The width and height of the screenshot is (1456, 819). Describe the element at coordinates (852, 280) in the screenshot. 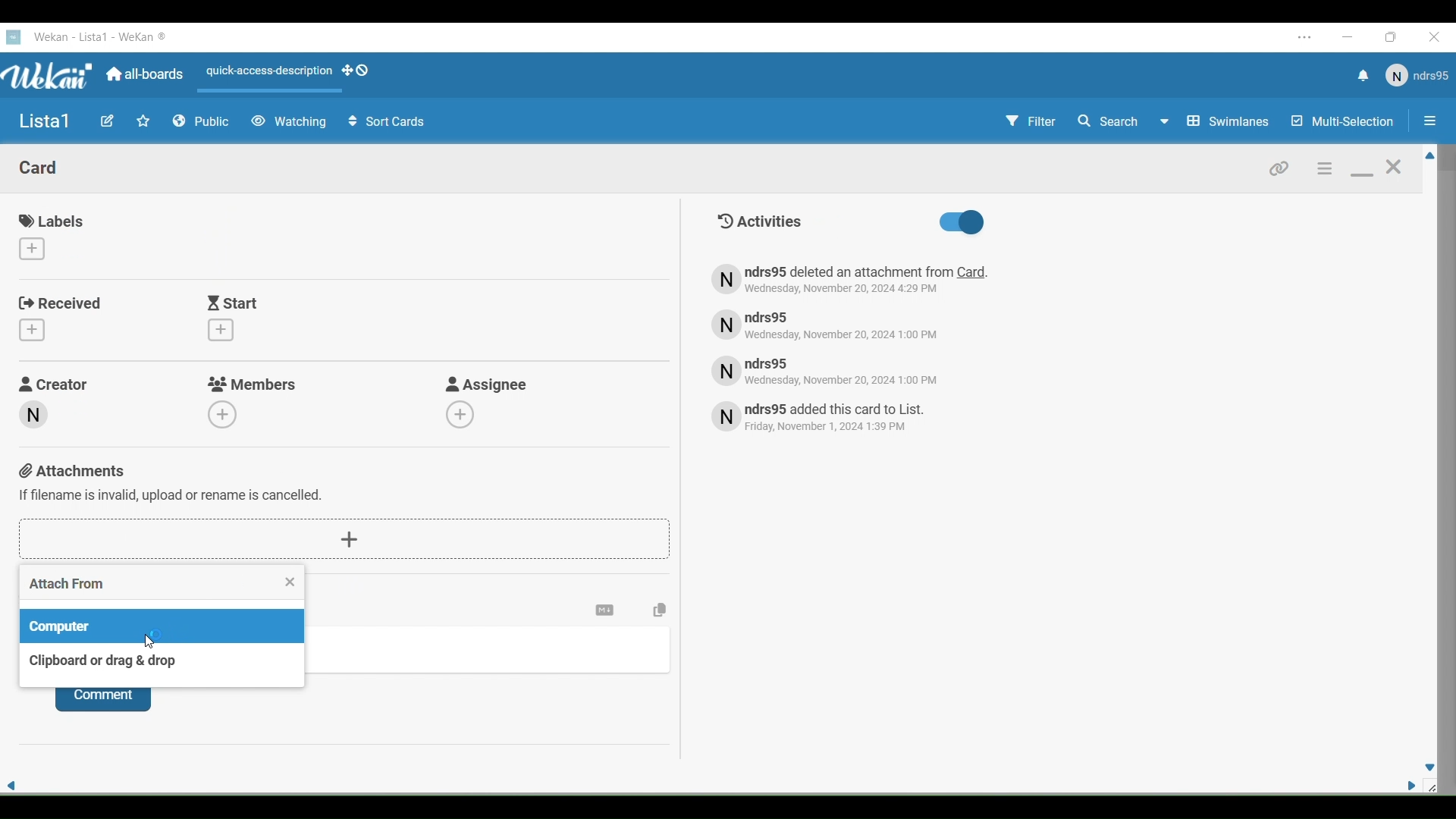

I see `Text` at that location.